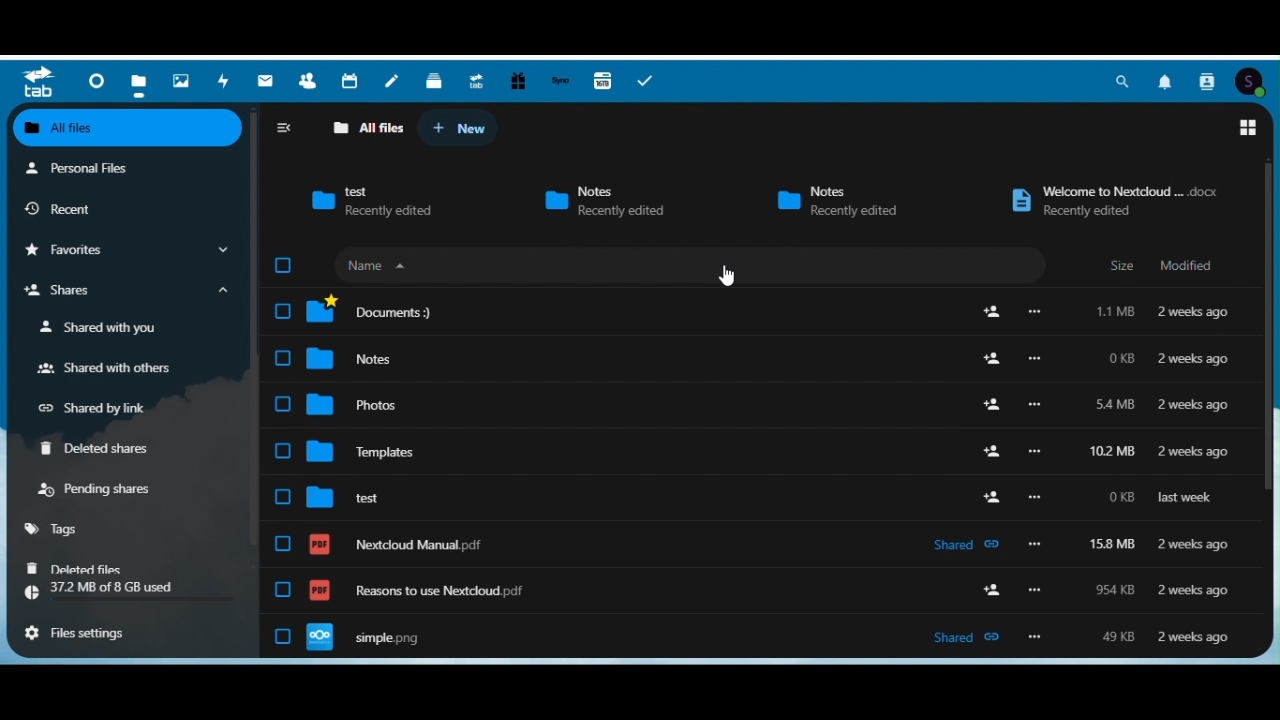 This screenshot has height=720, width=1280. Describe the element at coordinates (365, 202) in the screenshot. I see `test recently added` at that location.